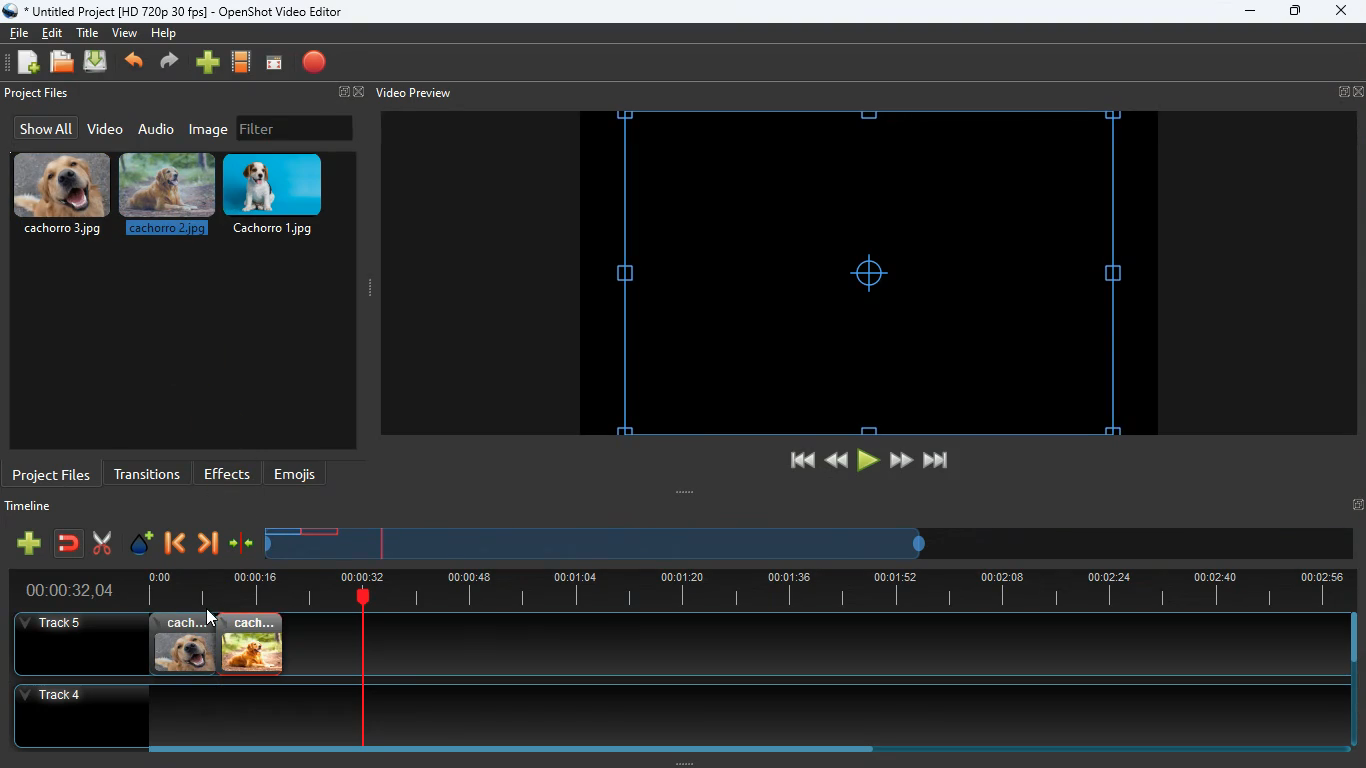  I want to click on video preview, so click(412, 93).